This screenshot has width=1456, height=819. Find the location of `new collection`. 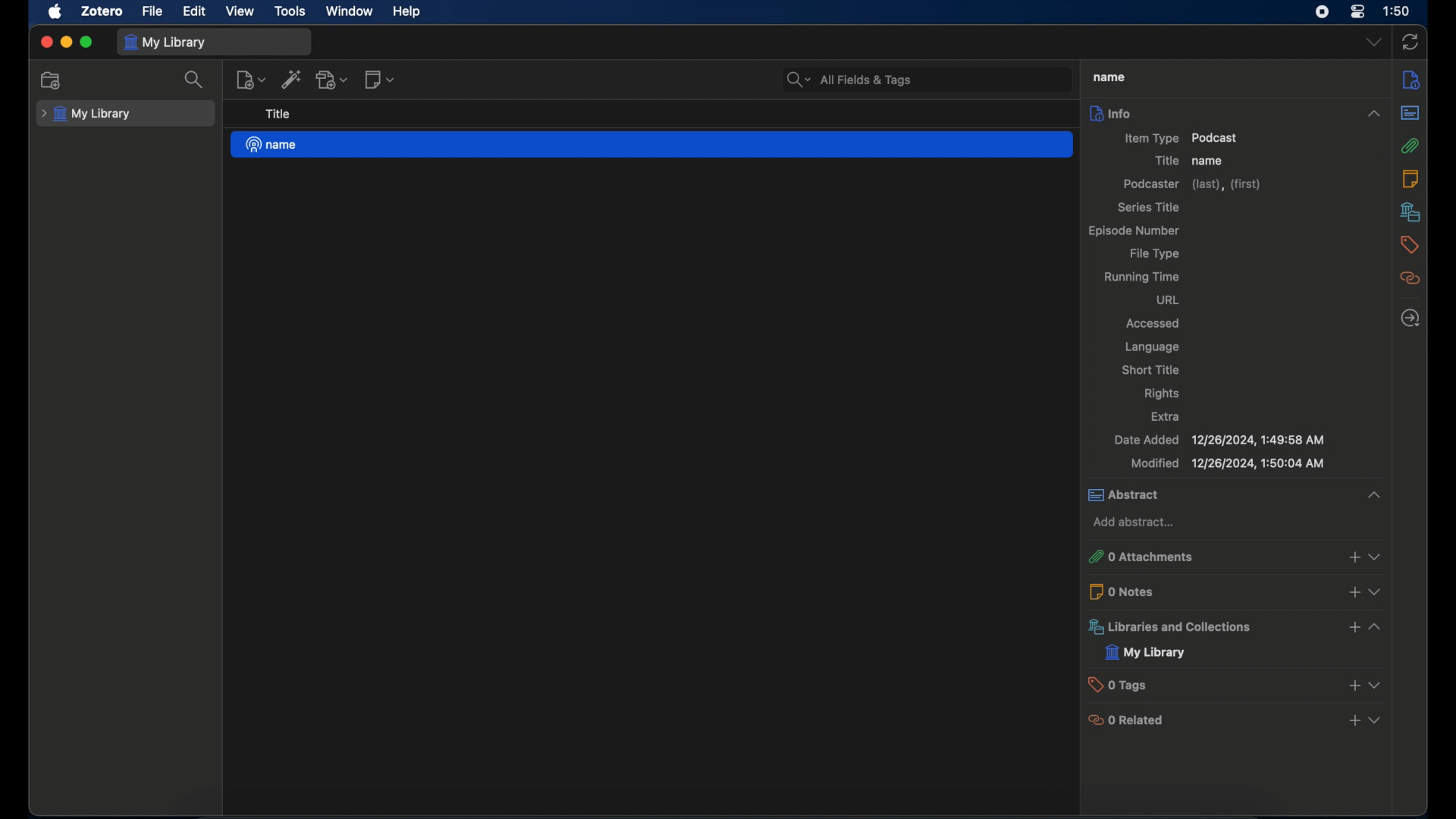

new collection is located at coordinates (54, 80).